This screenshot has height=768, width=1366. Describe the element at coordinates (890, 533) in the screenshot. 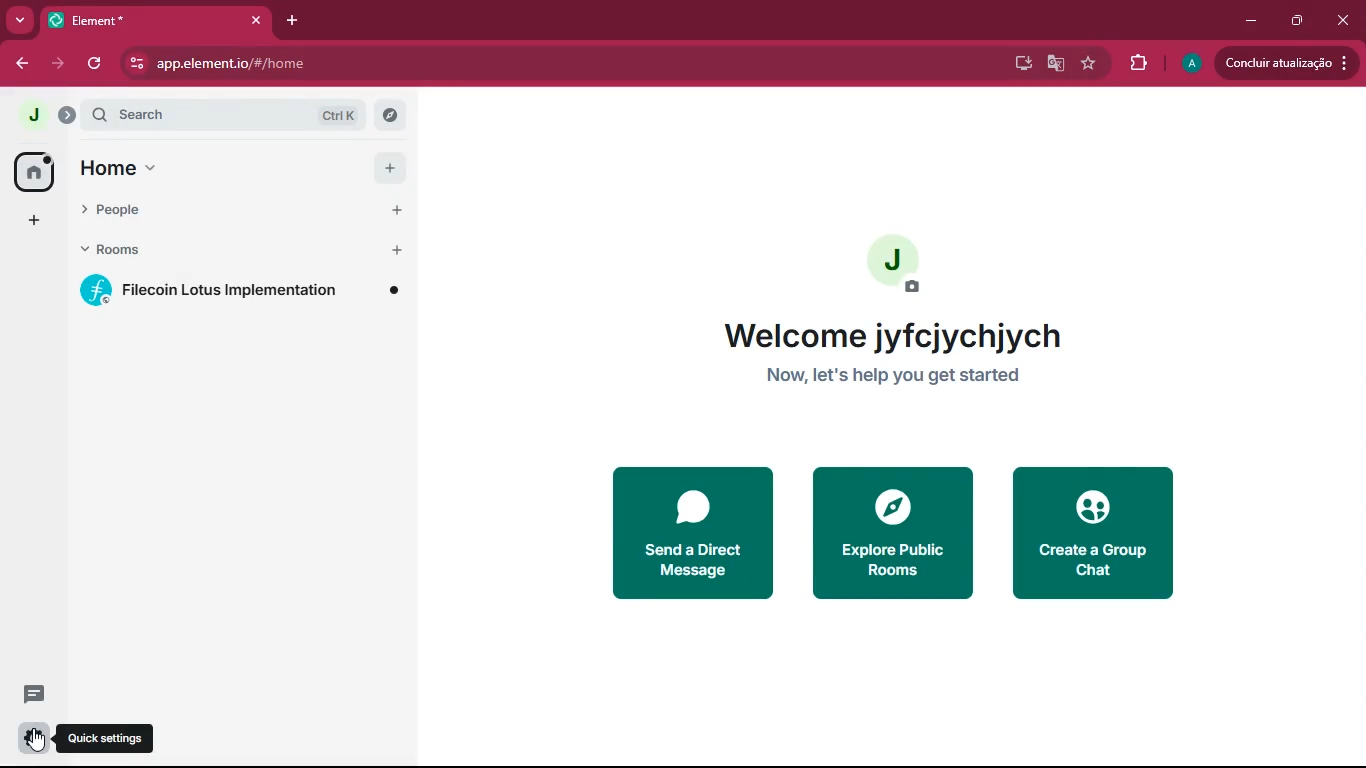

I see `explore public rooms` at that location.